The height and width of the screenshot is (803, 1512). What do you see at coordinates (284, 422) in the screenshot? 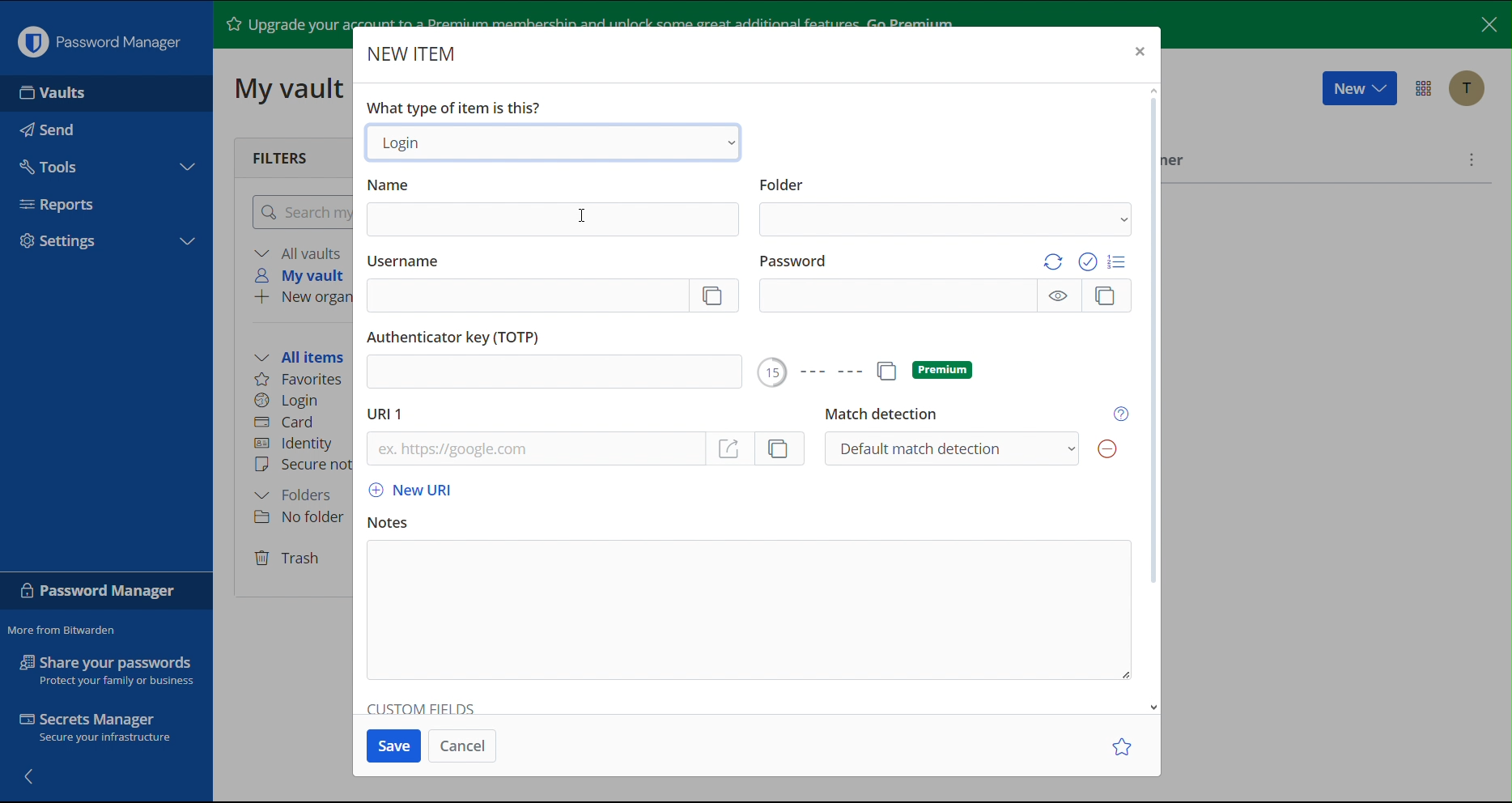
I see `Card` at bounding box center [284, 422].